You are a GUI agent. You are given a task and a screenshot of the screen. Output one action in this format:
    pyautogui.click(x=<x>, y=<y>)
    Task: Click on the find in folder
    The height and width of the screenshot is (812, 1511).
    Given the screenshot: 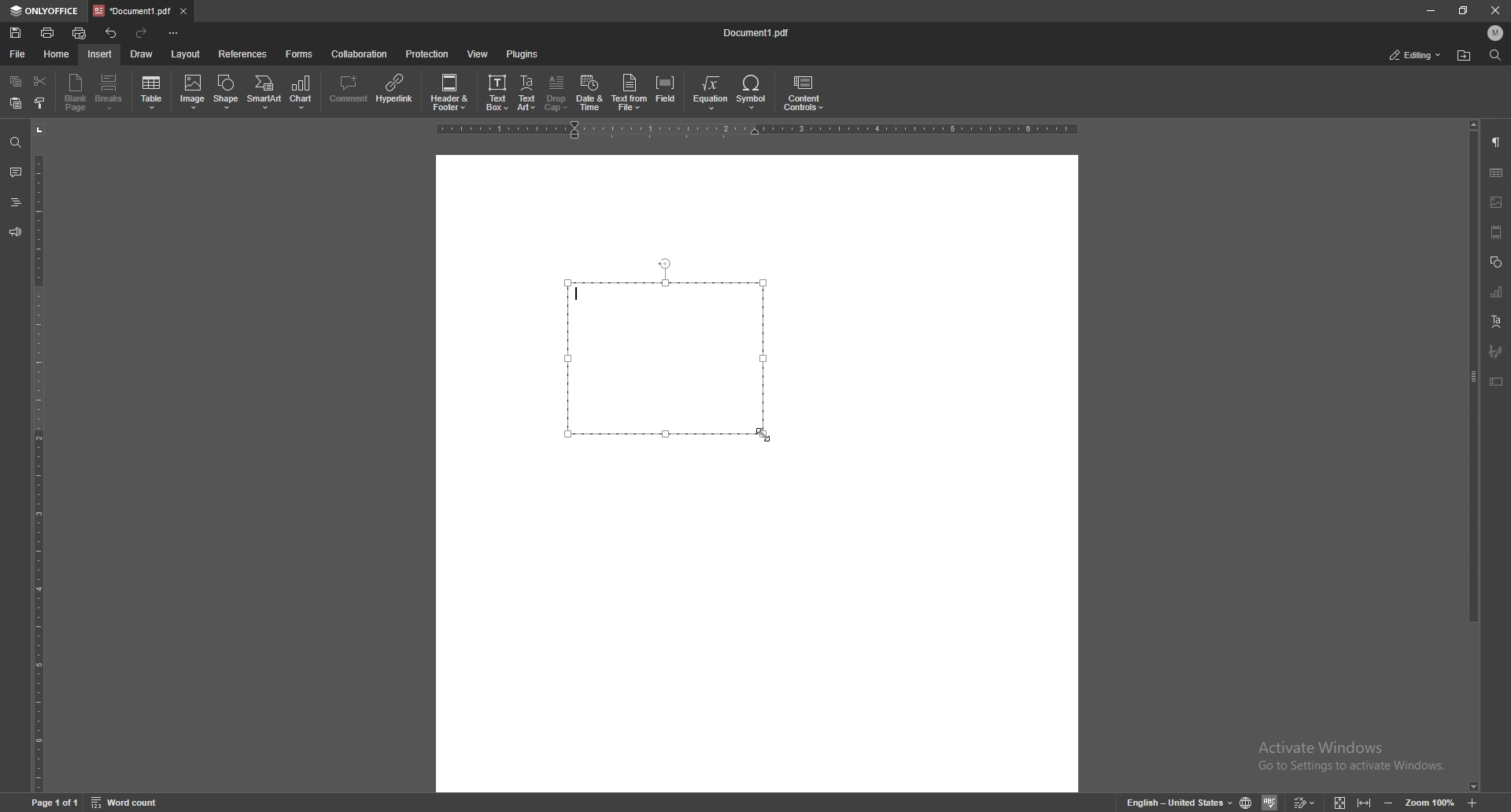 What is the action you would take?
    pyautogui.click(x=1464, y=56)
    